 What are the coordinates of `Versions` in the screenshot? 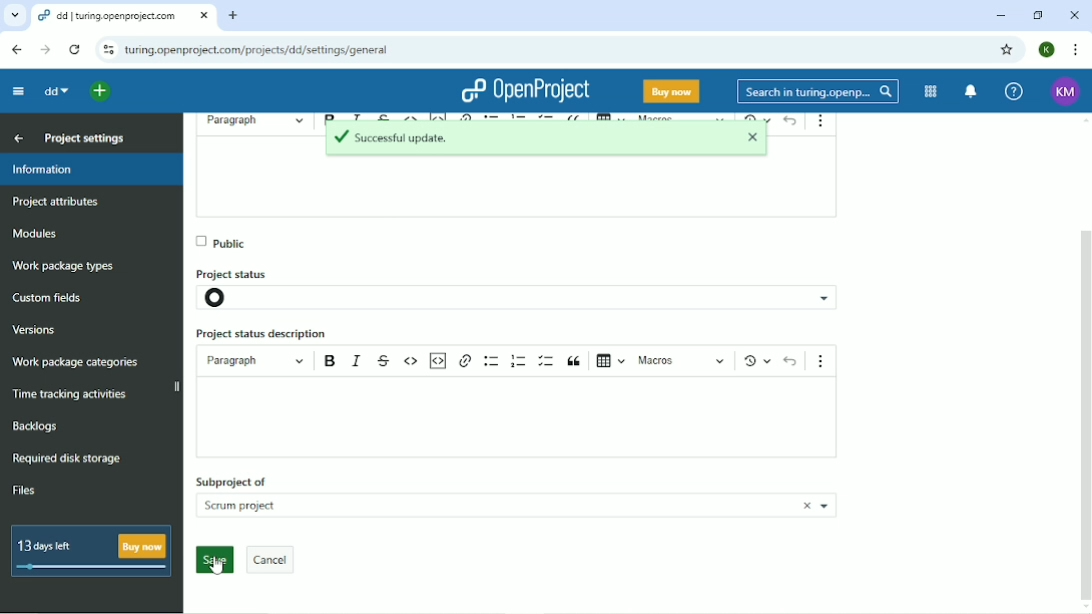 It's located at (34, 331).